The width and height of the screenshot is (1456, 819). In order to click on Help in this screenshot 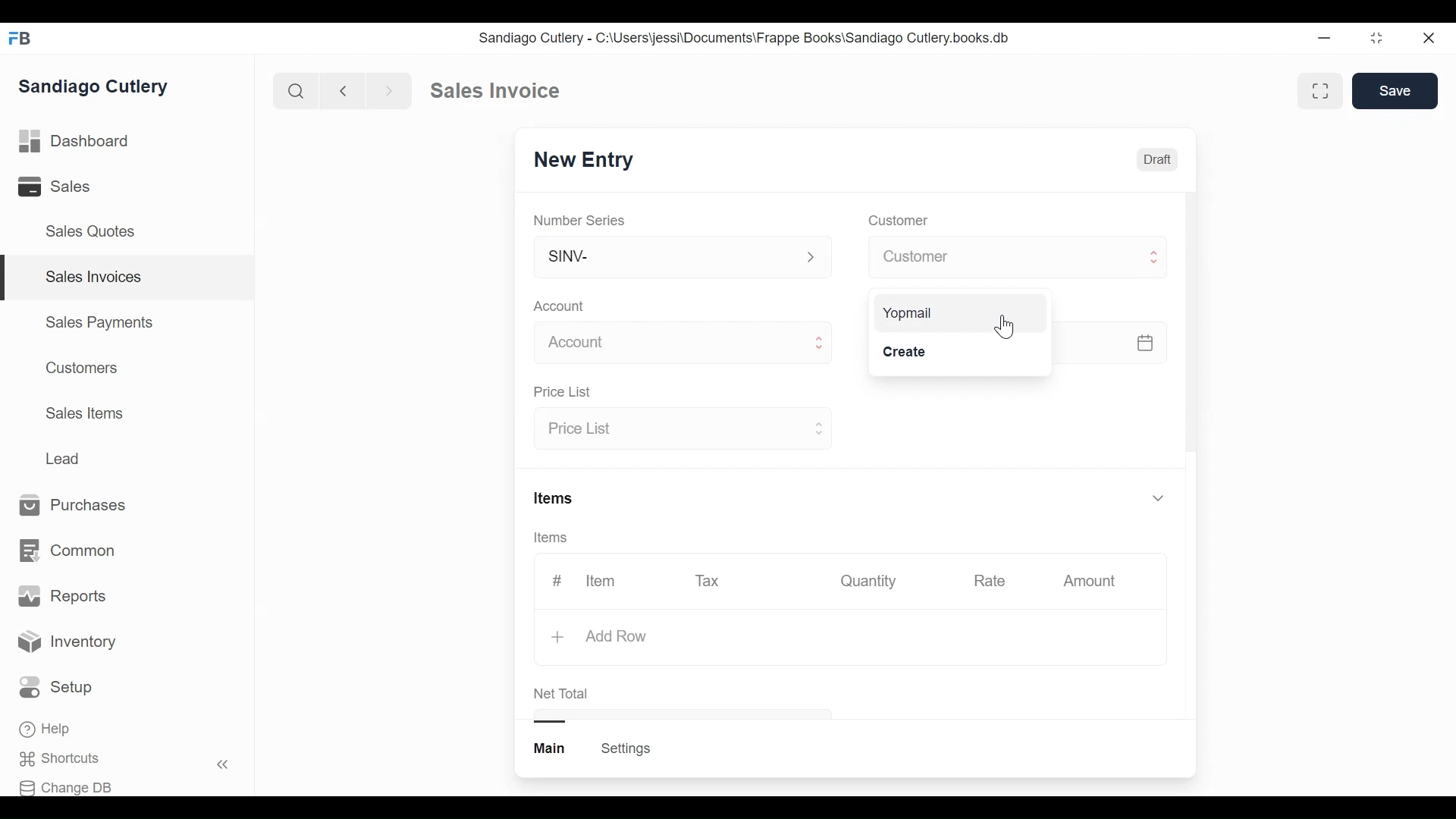, I will do `click(46, 729)`.